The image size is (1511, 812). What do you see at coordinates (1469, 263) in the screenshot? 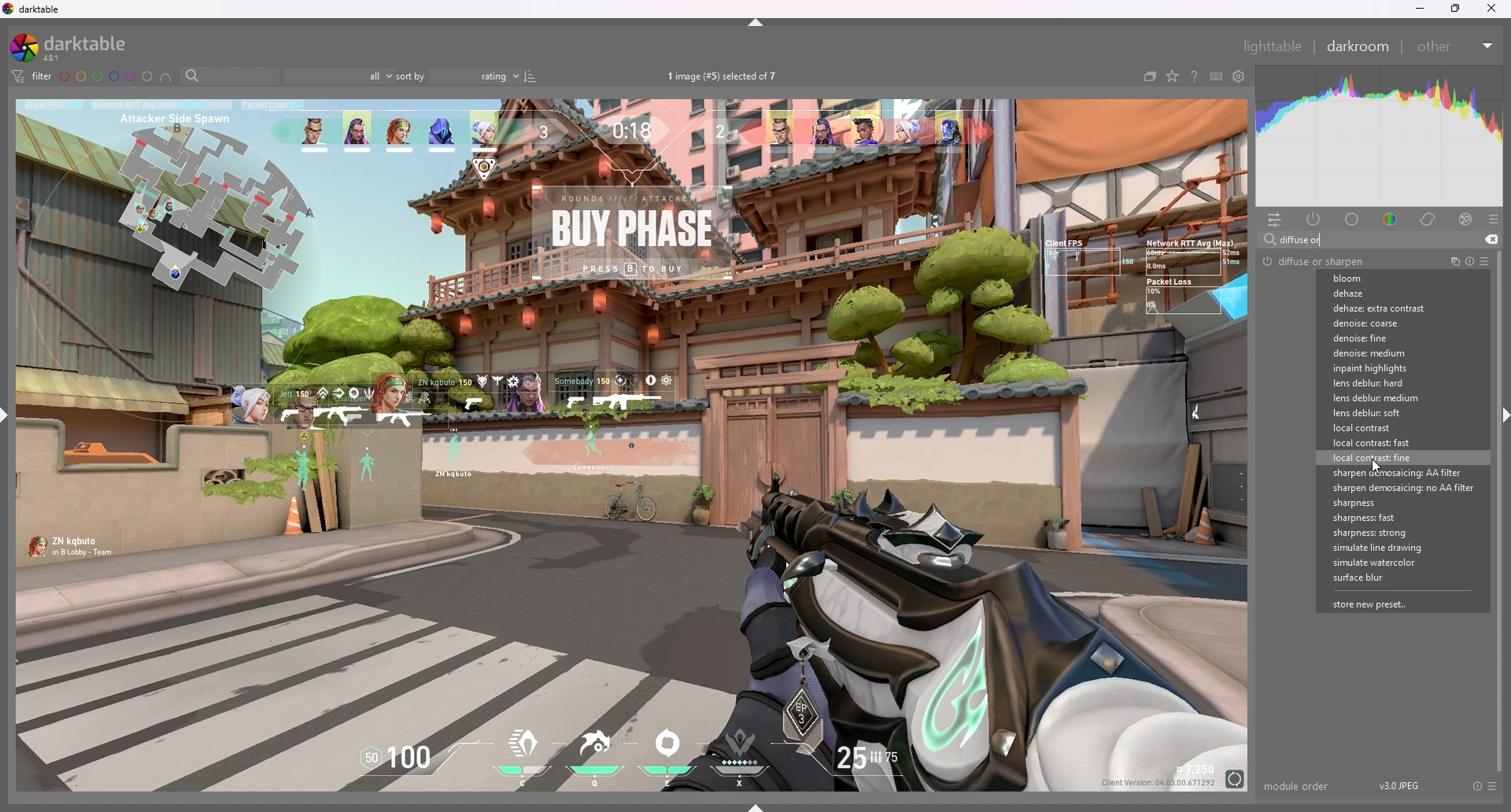
I see `reset` at bounding box center [1469, 263].